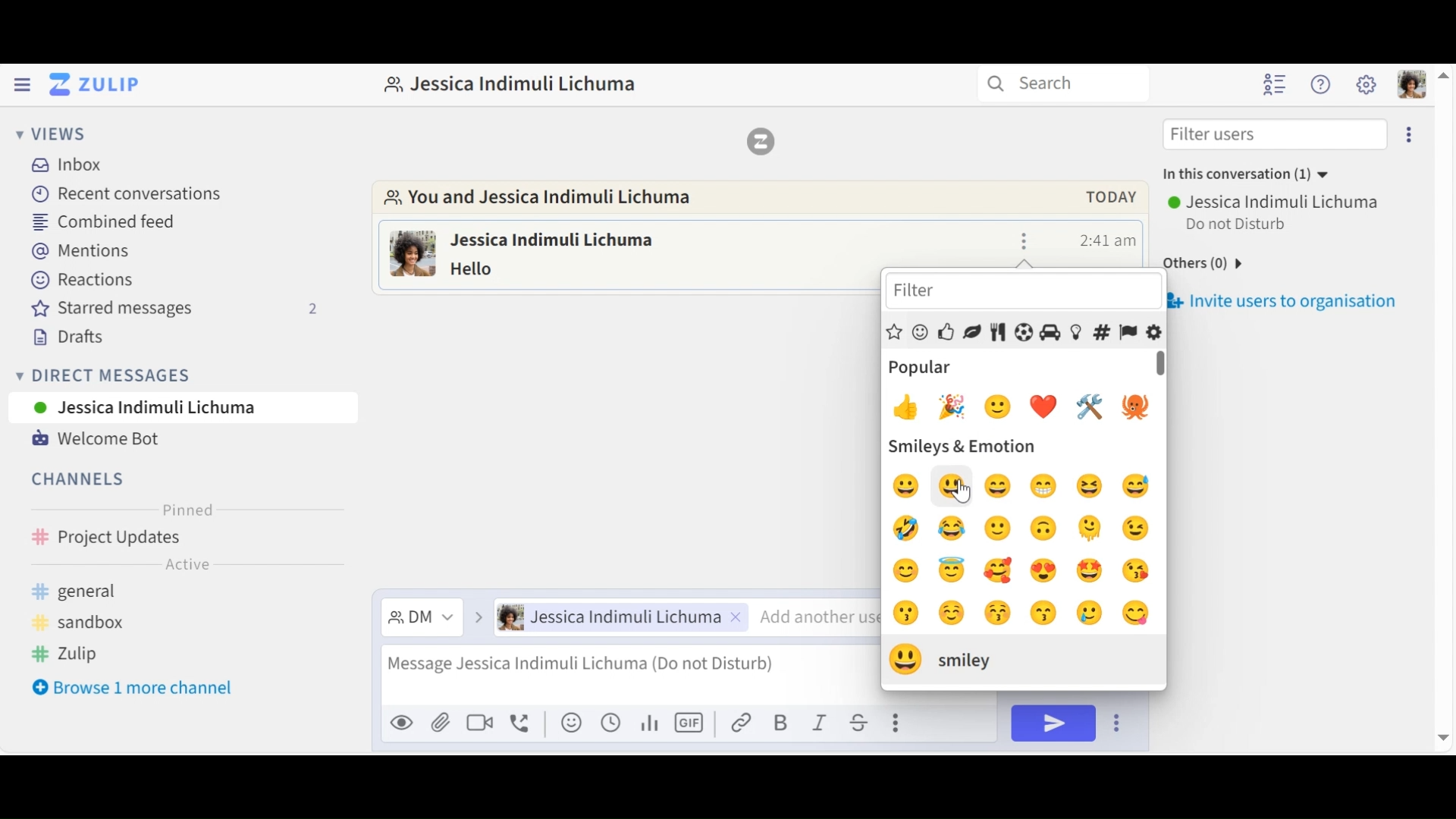  I want to click on search, so click(1061, 84).